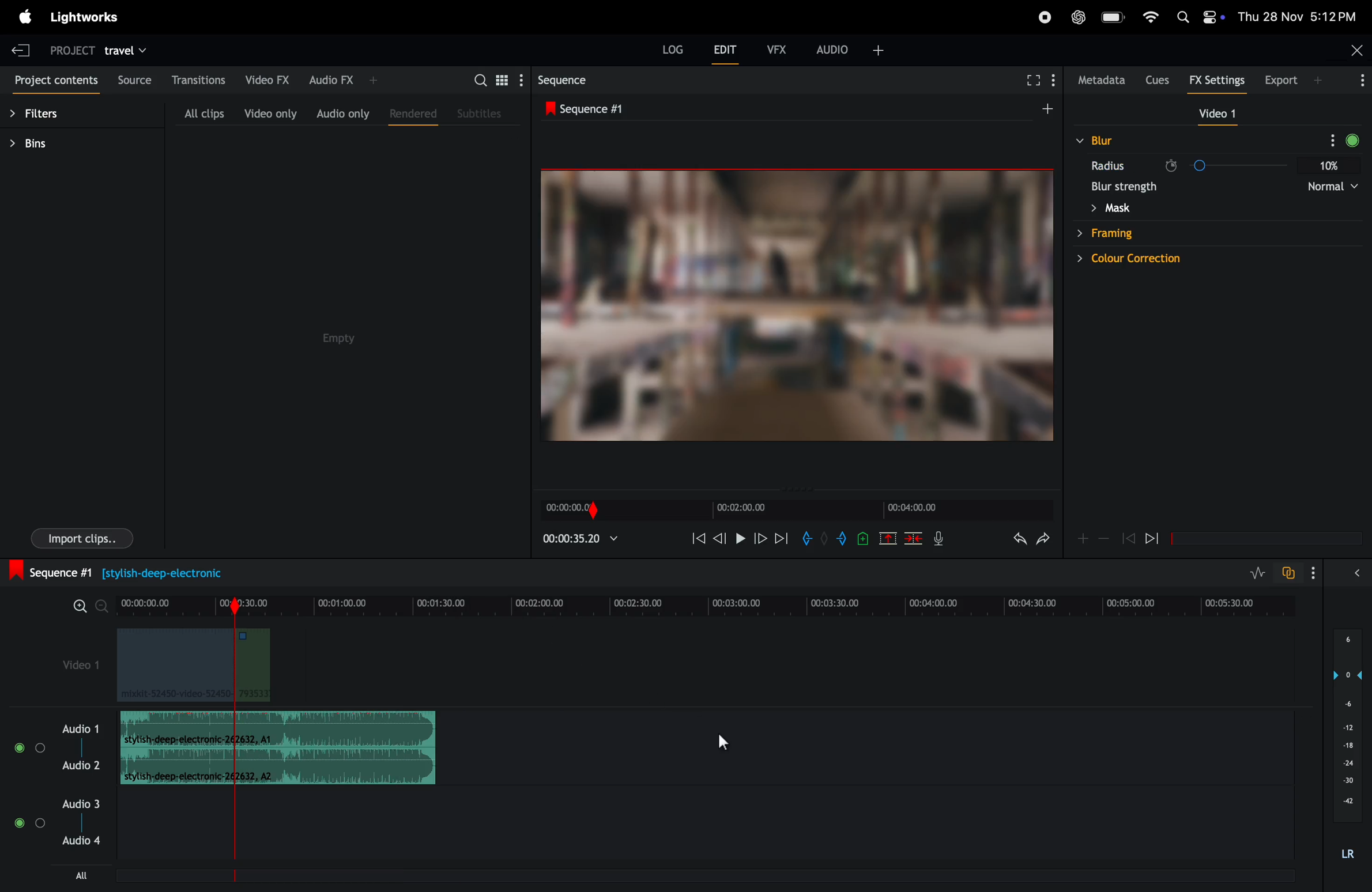 The image size is (1372, 892). I want to click on video only, so click(269, 114).